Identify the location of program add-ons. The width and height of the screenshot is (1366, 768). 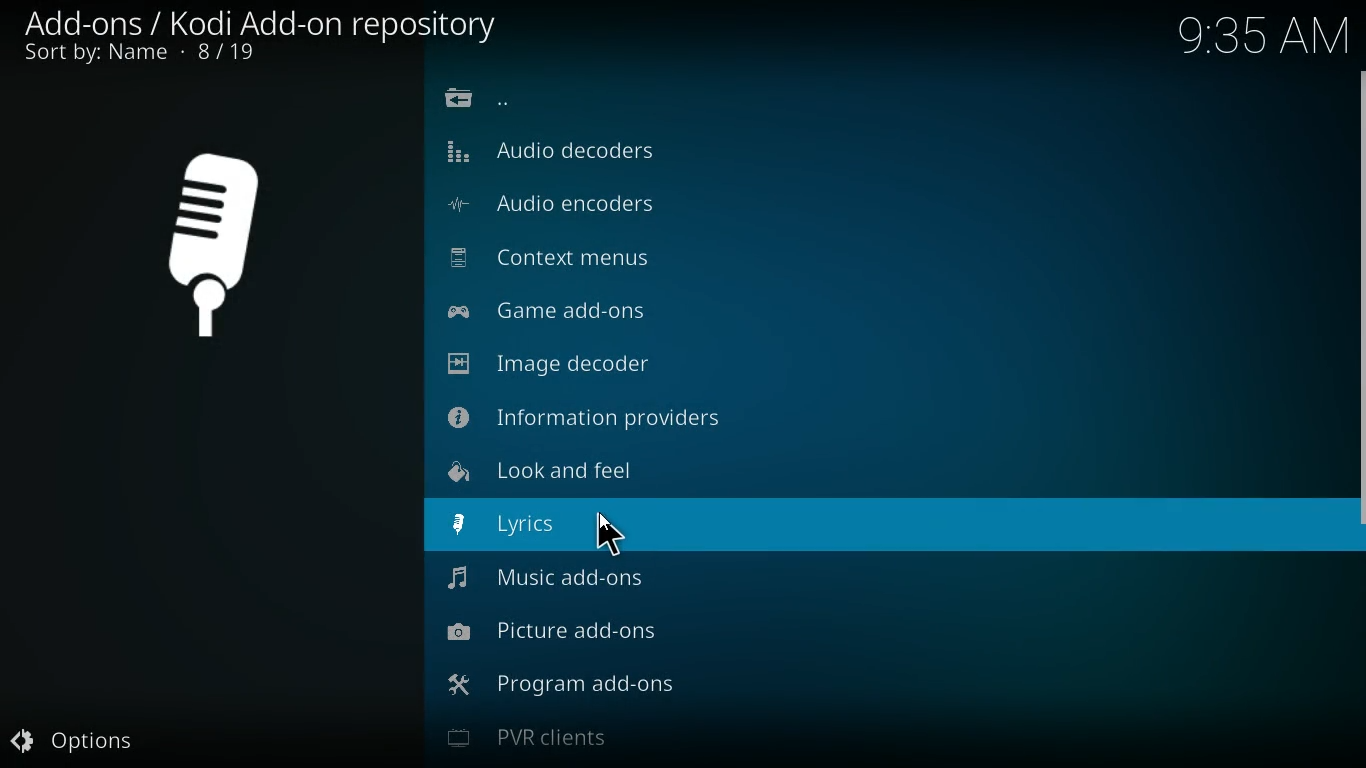
(579, 692).